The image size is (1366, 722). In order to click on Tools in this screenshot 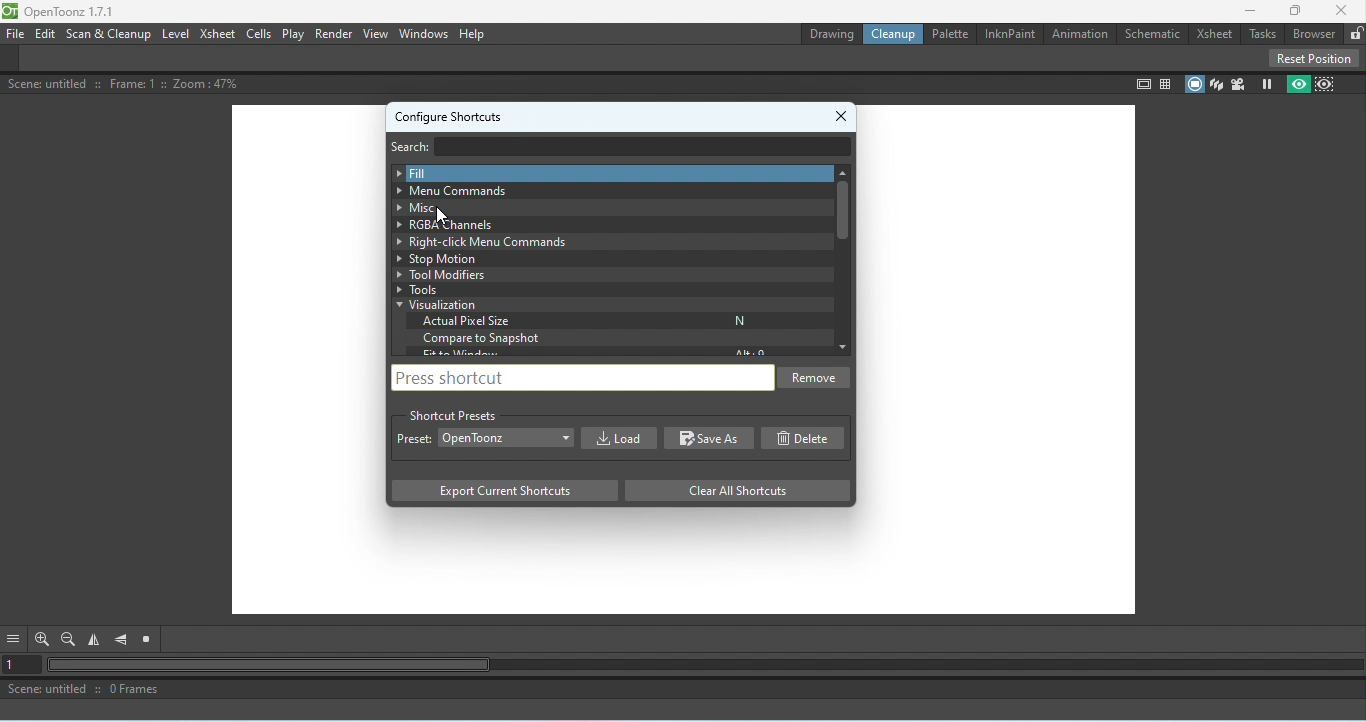, I will do `click(608, 292)`.